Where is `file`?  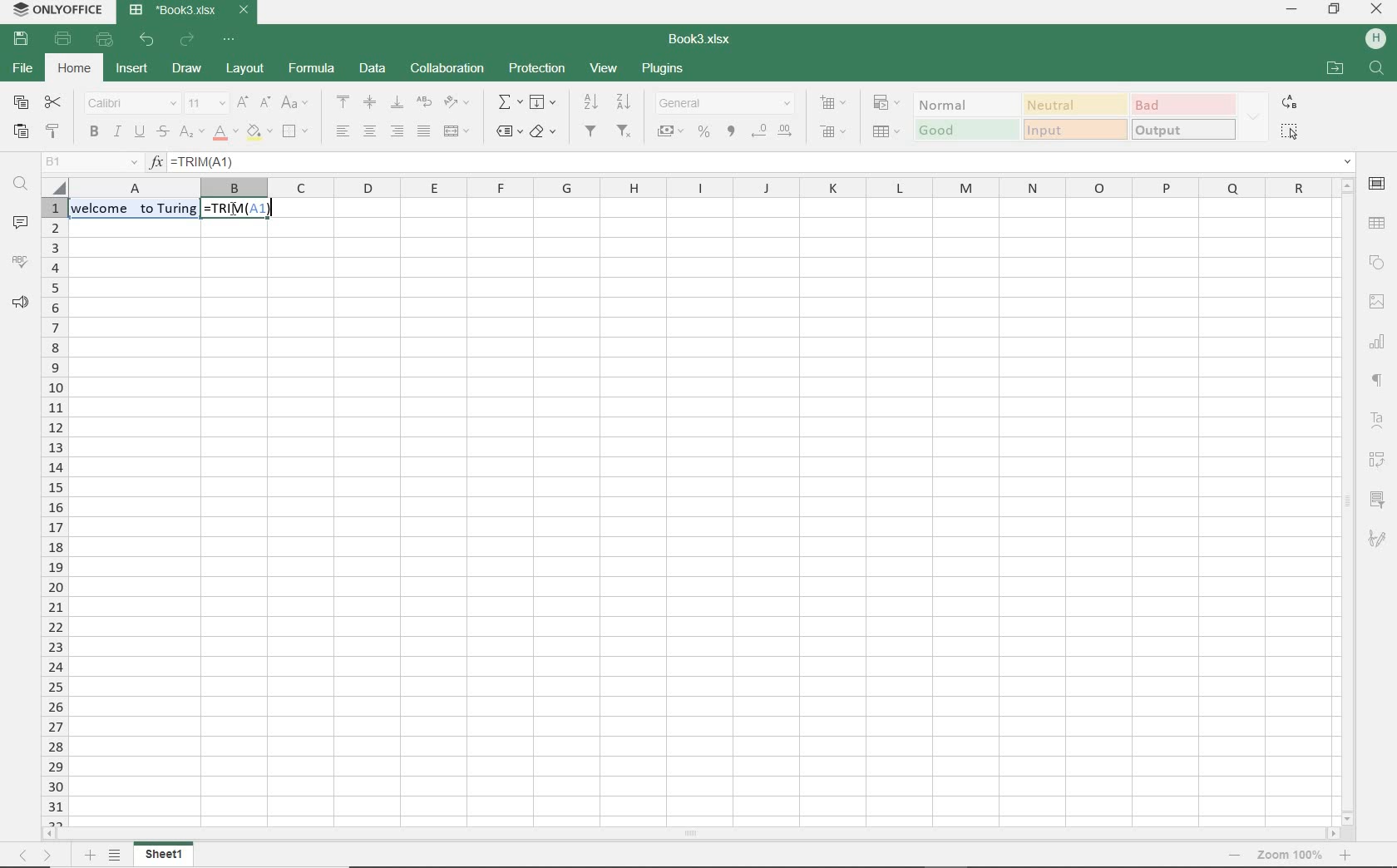 file is located at coordinates (23, 70).